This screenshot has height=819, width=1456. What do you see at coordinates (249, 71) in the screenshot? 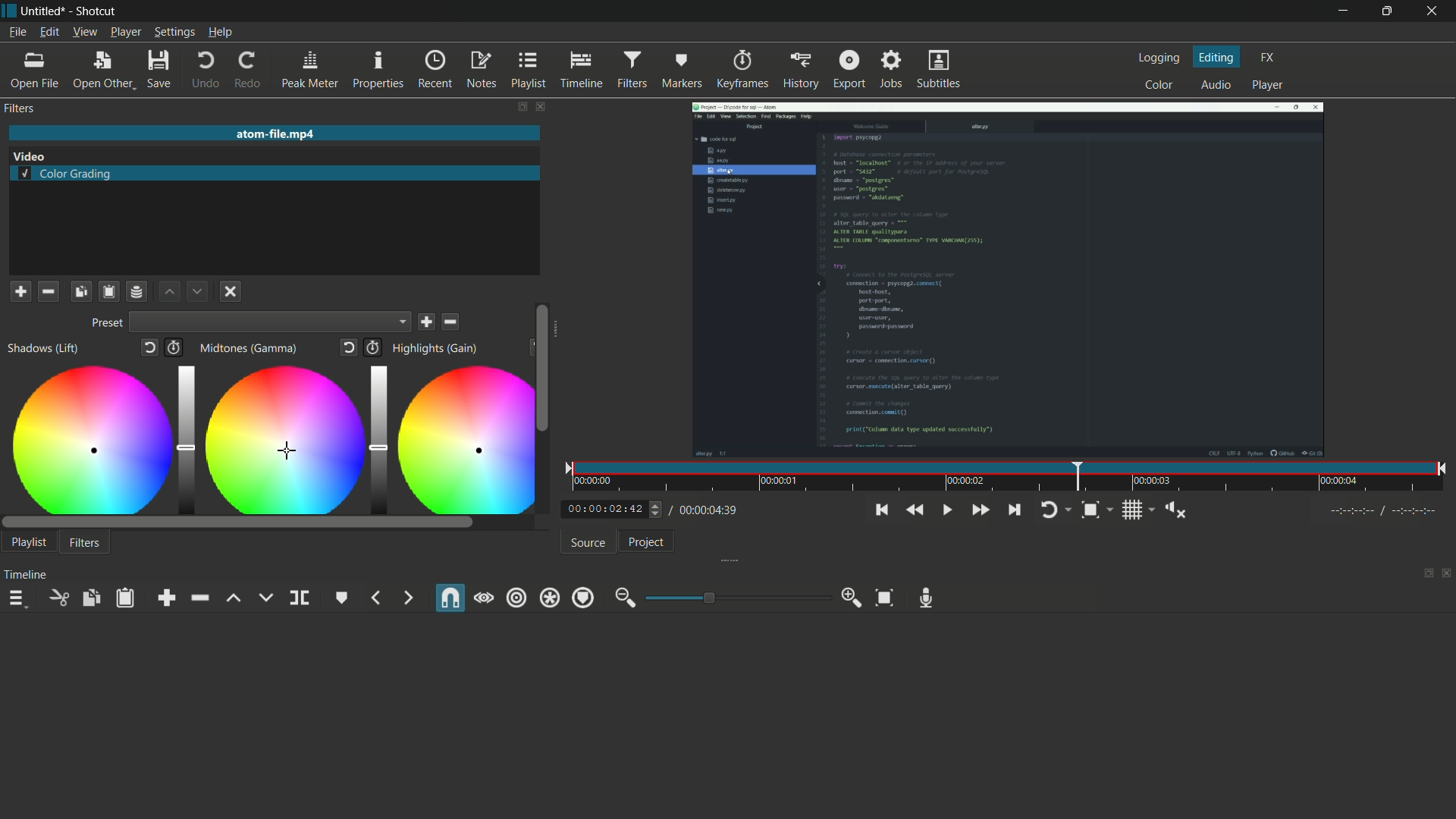
I see `redo` at bounding box center [249, 71].